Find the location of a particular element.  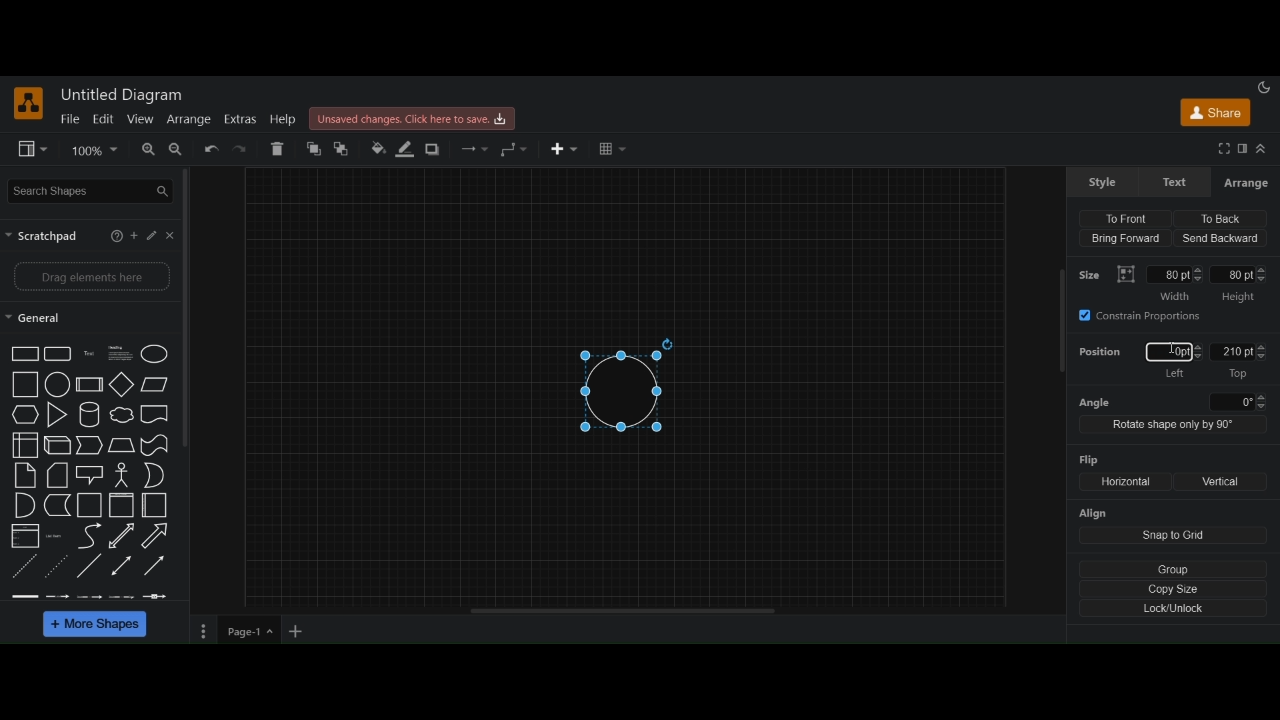

search shapes is located at coordinates (92, 190).